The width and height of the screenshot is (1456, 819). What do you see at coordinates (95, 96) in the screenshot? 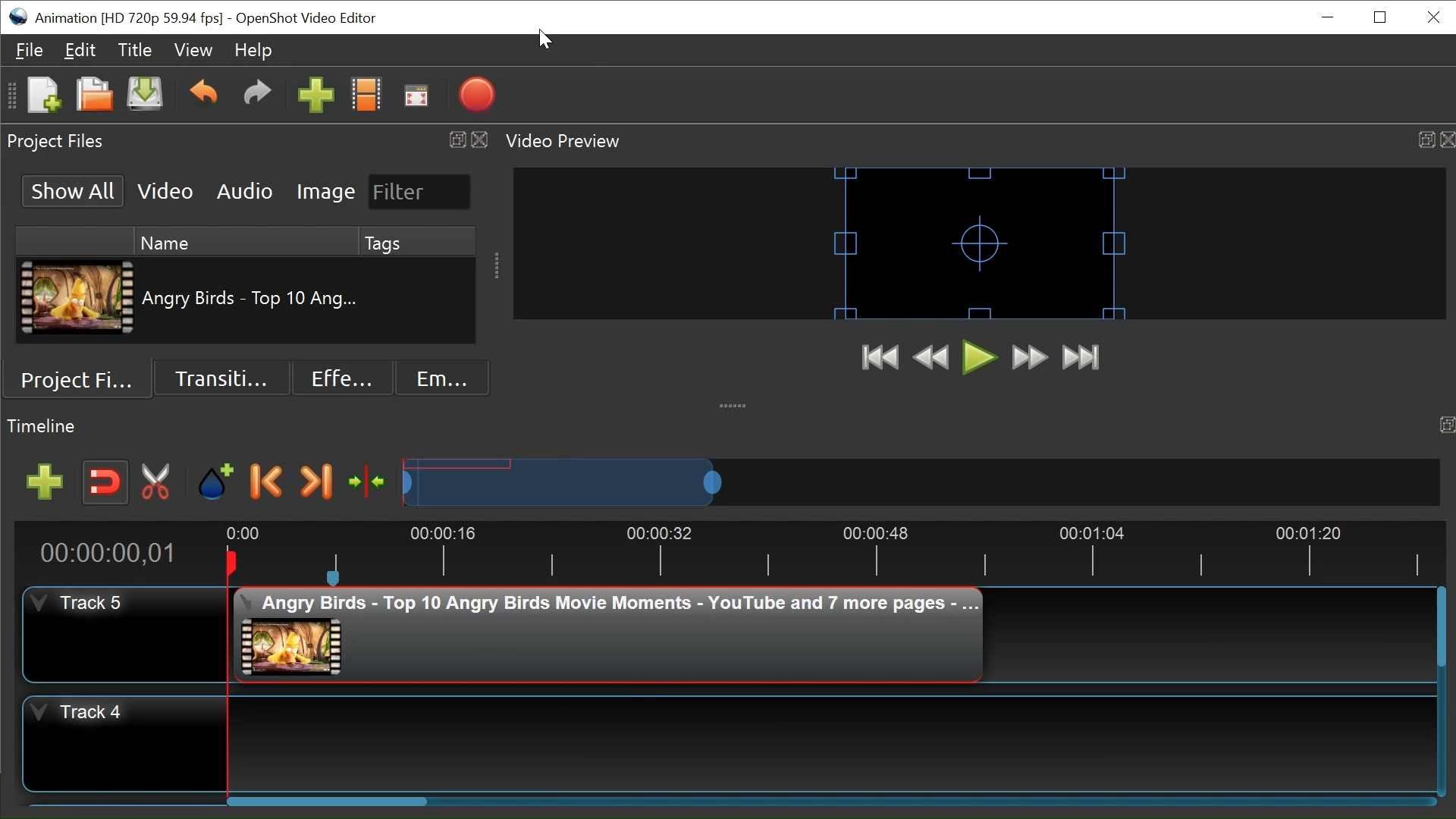
I see `Open Project` at bounding box center [95, 96].